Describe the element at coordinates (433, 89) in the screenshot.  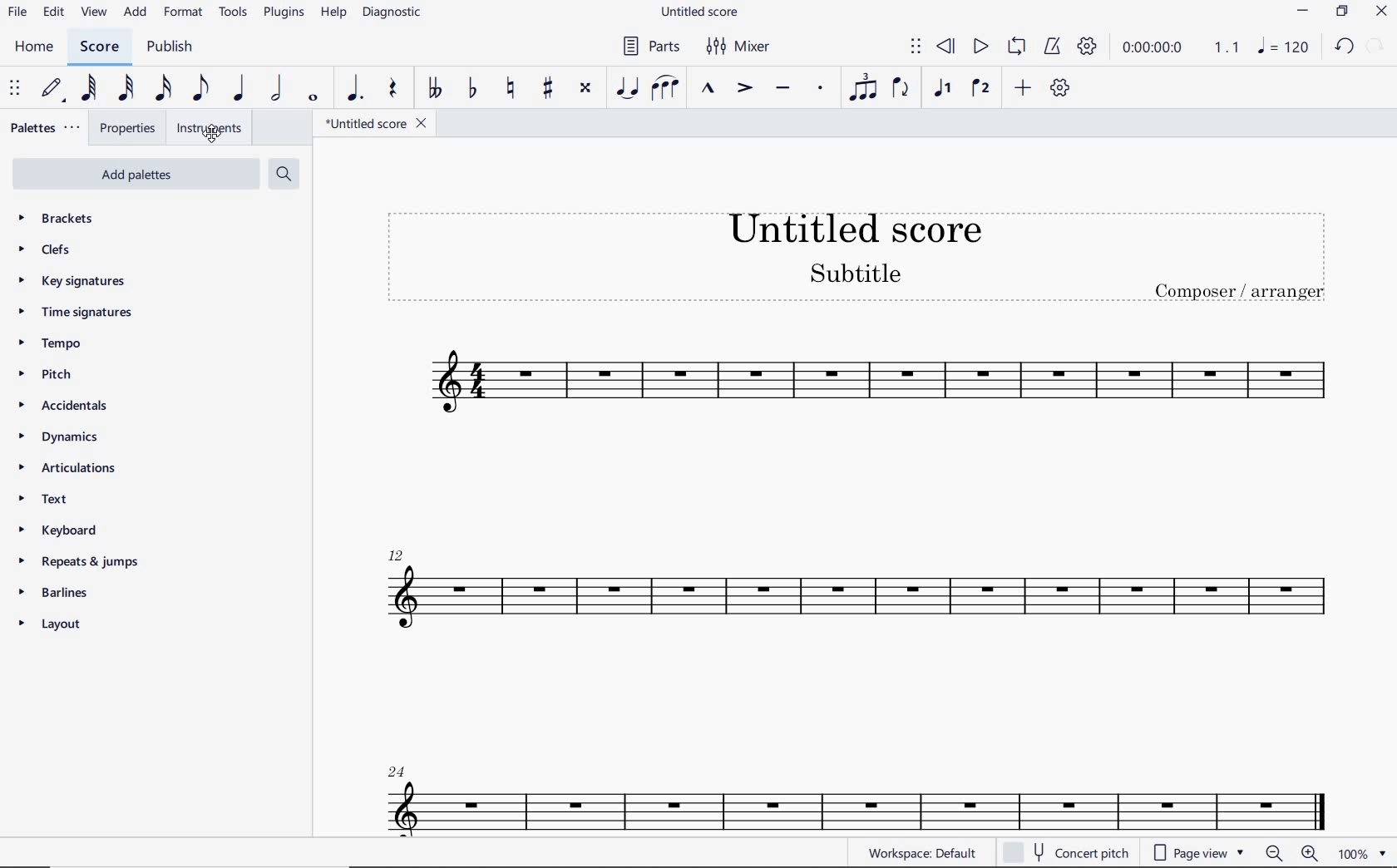
I see `TOGGLE DOUBLE-FLAT` at that location.